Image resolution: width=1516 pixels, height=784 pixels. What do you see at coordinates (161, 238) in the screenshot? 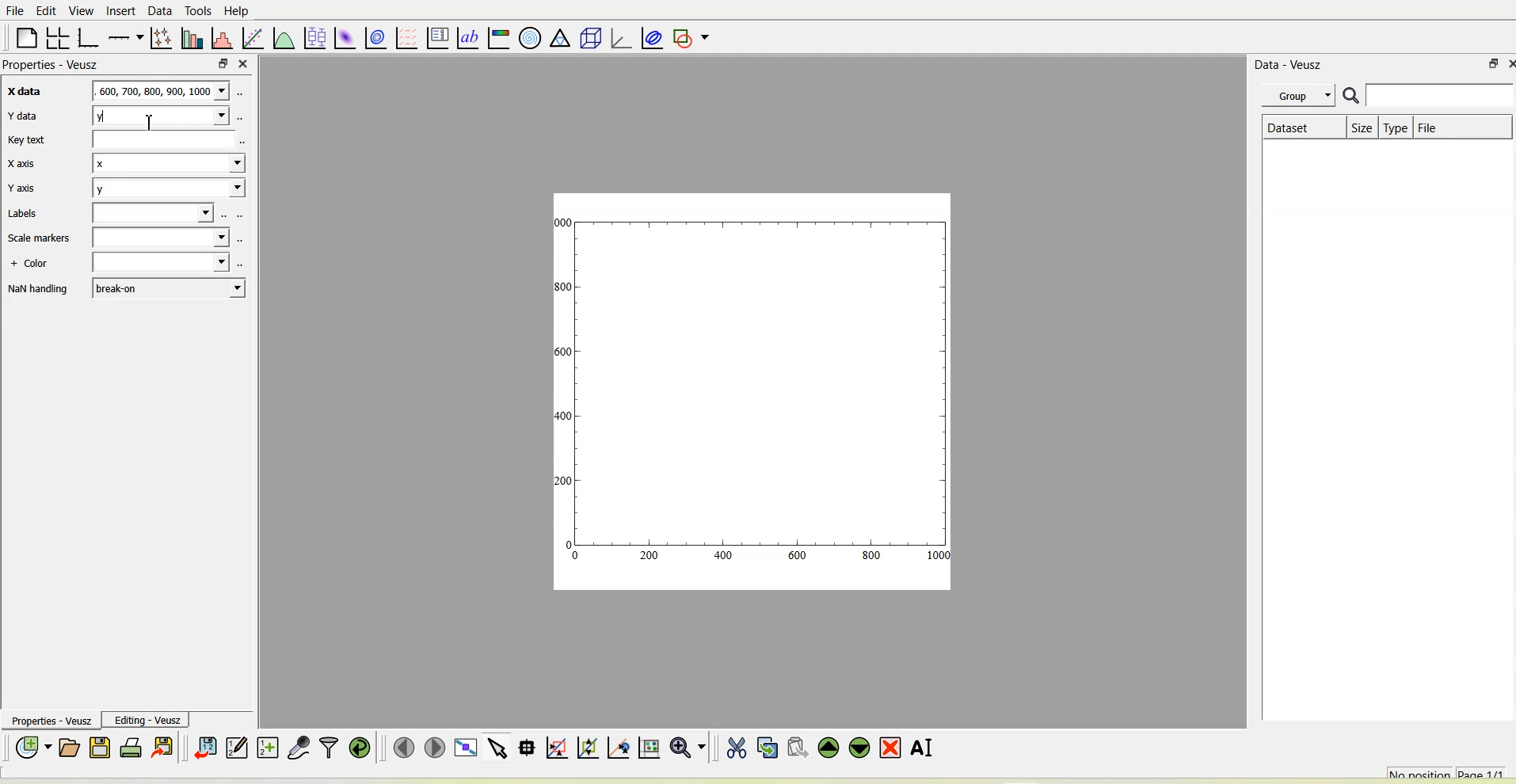
I see `Blank` at bounding box center [161, 238].